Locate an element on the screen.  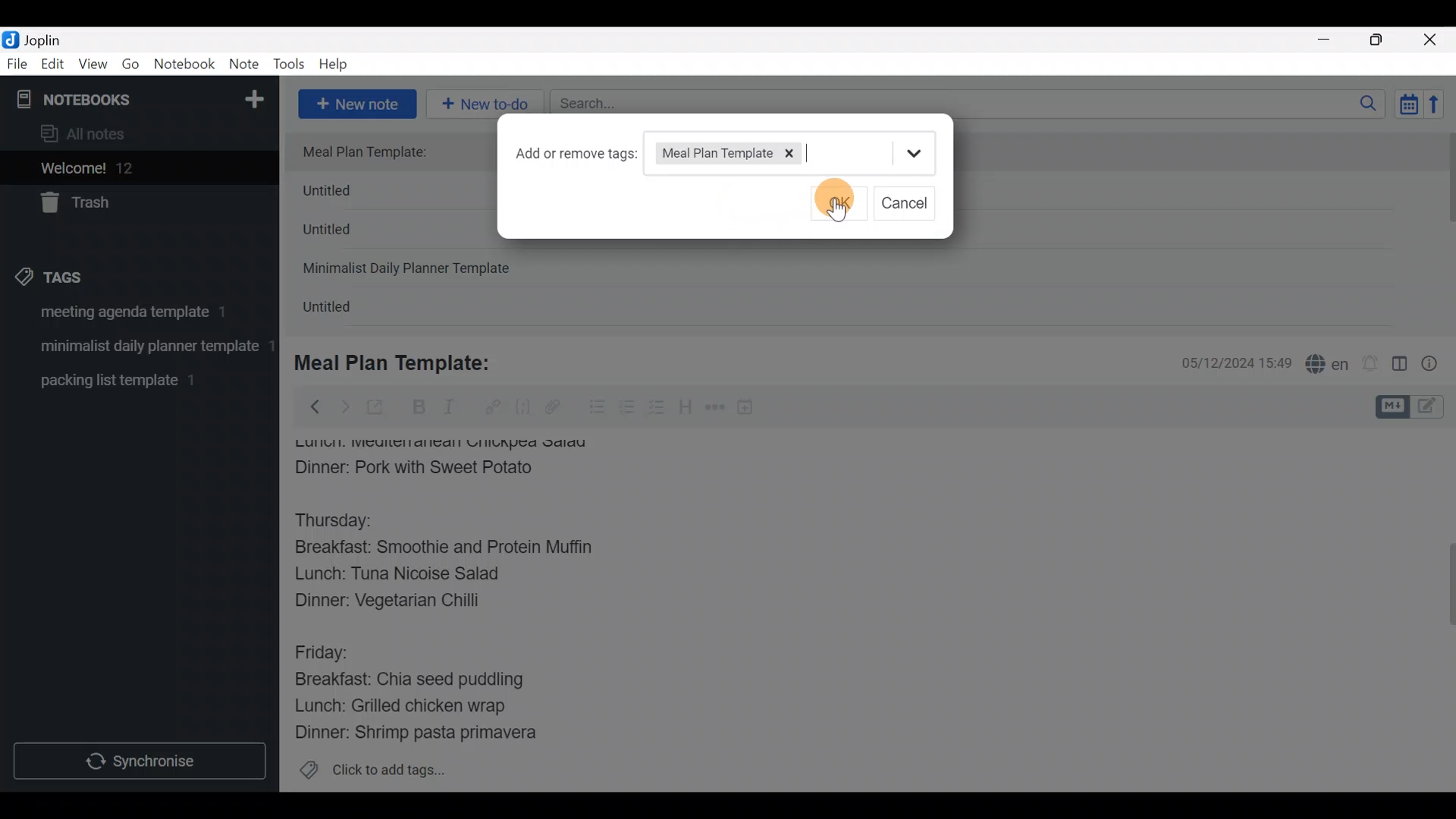
New to-do is located at coordinates (488, 102).